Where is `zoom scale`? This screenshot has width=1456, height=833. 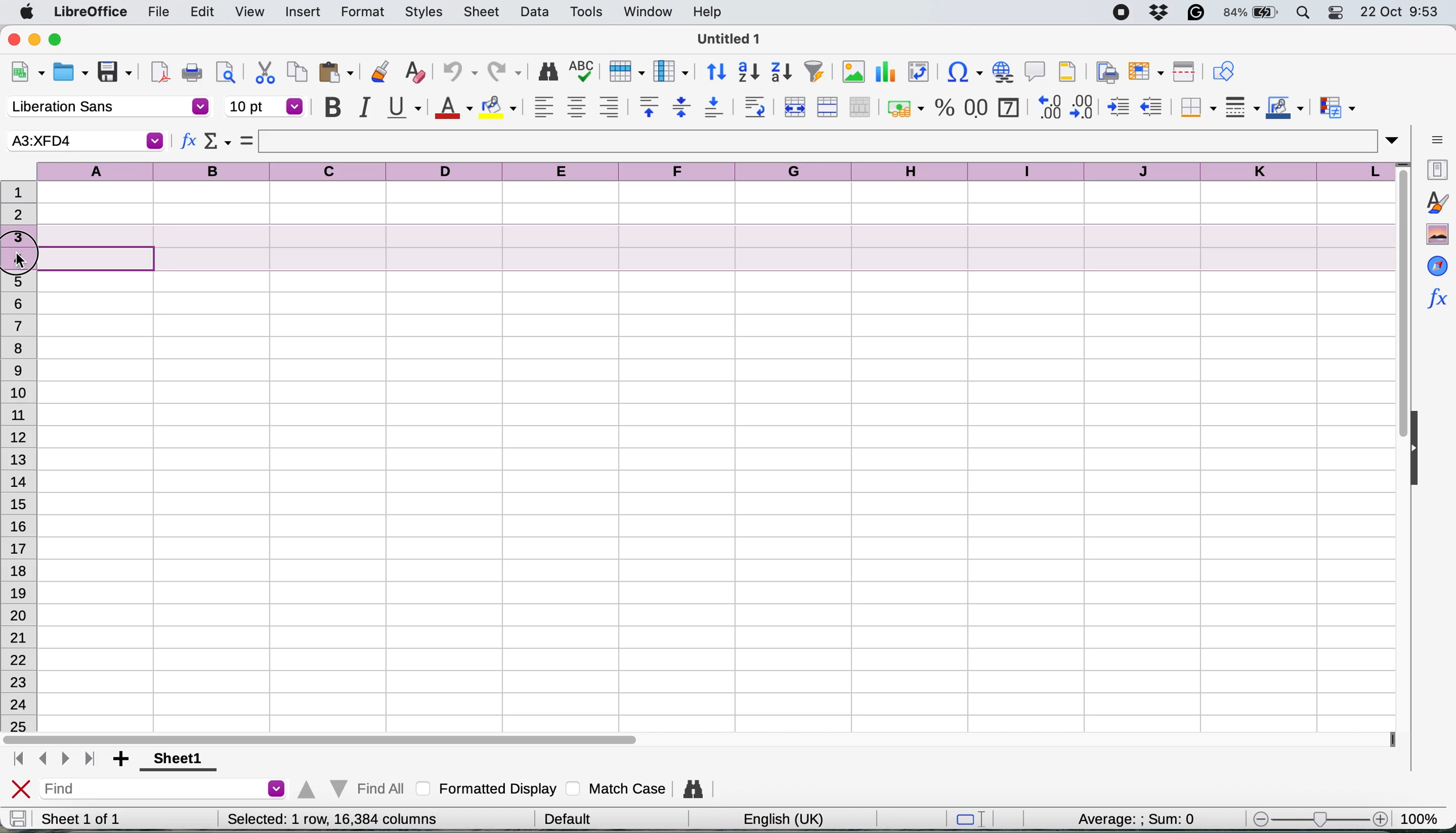 zoom scale is located at coordinates (1319, 818).